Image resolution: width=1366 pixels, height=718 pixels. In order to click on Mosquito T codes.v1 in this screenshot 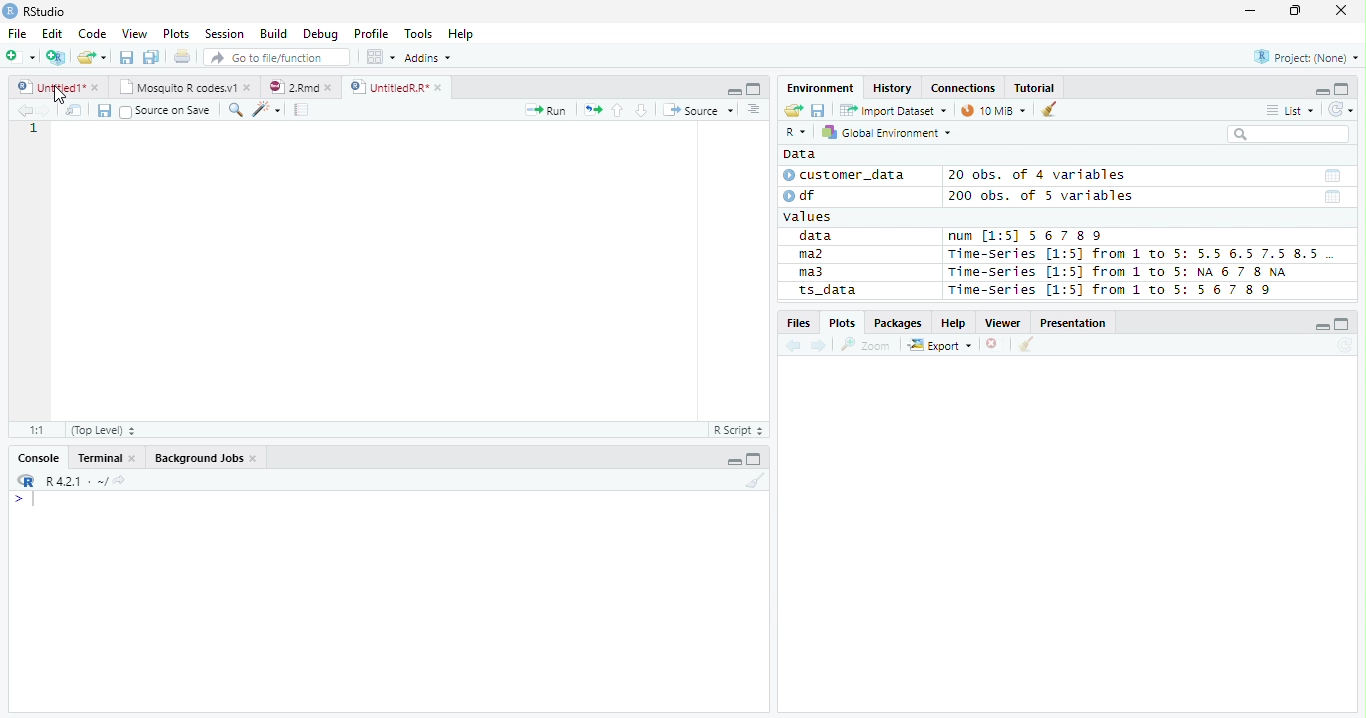, I will do `click(185, 88)`.